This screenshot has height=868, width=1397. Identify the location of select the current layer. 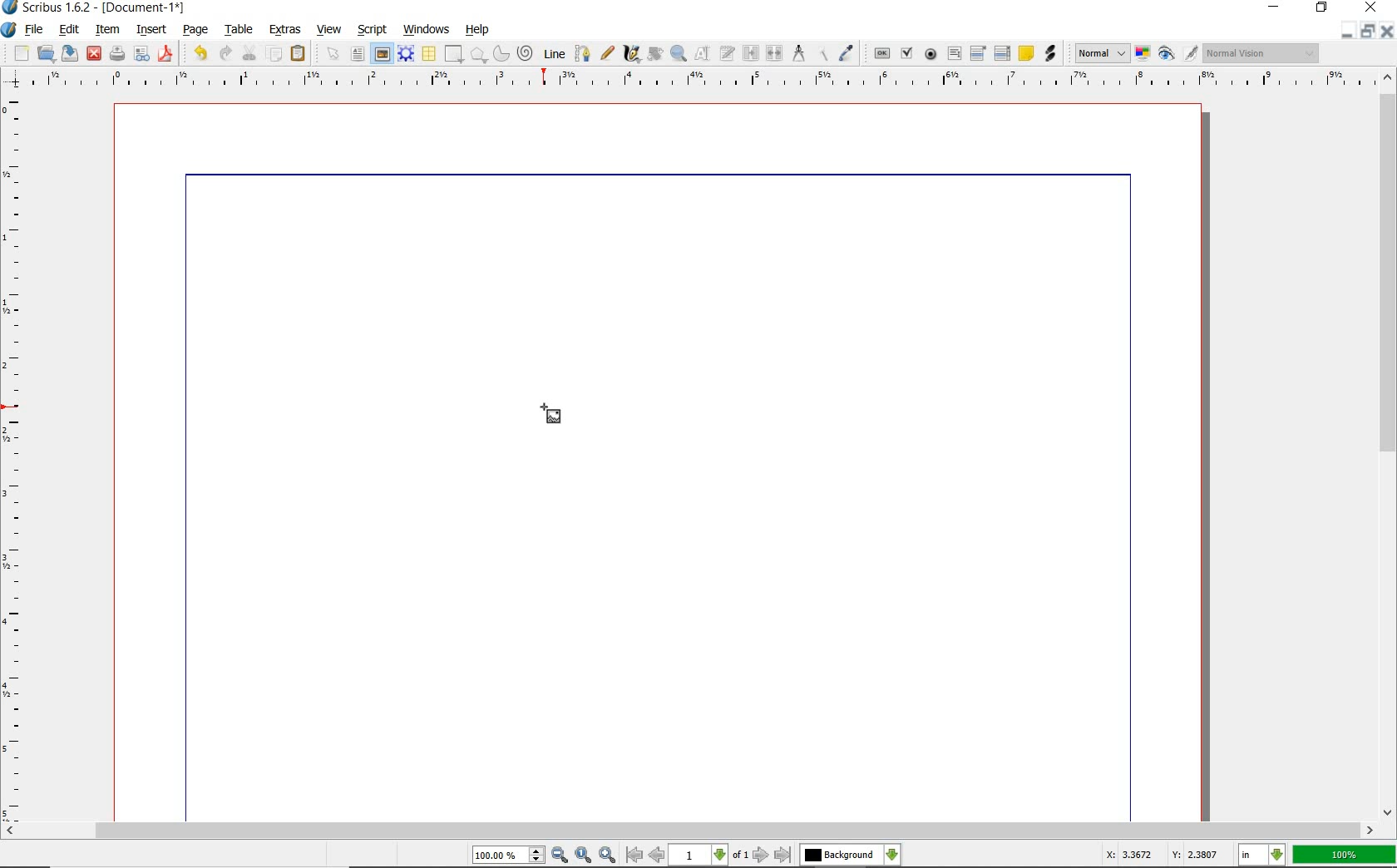
(849, 855).